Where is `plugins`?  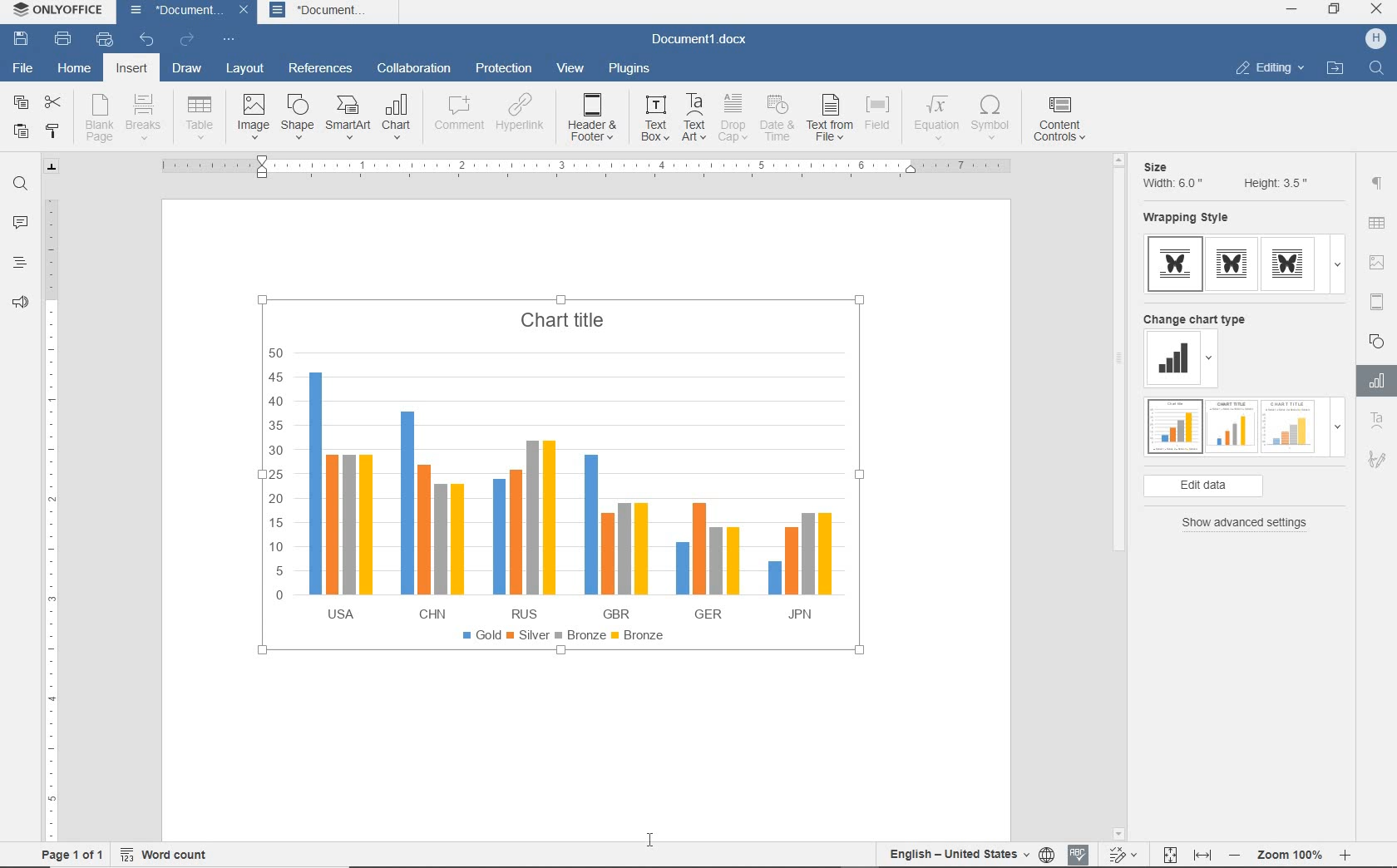
plugins is located at coordinates (629, 69).